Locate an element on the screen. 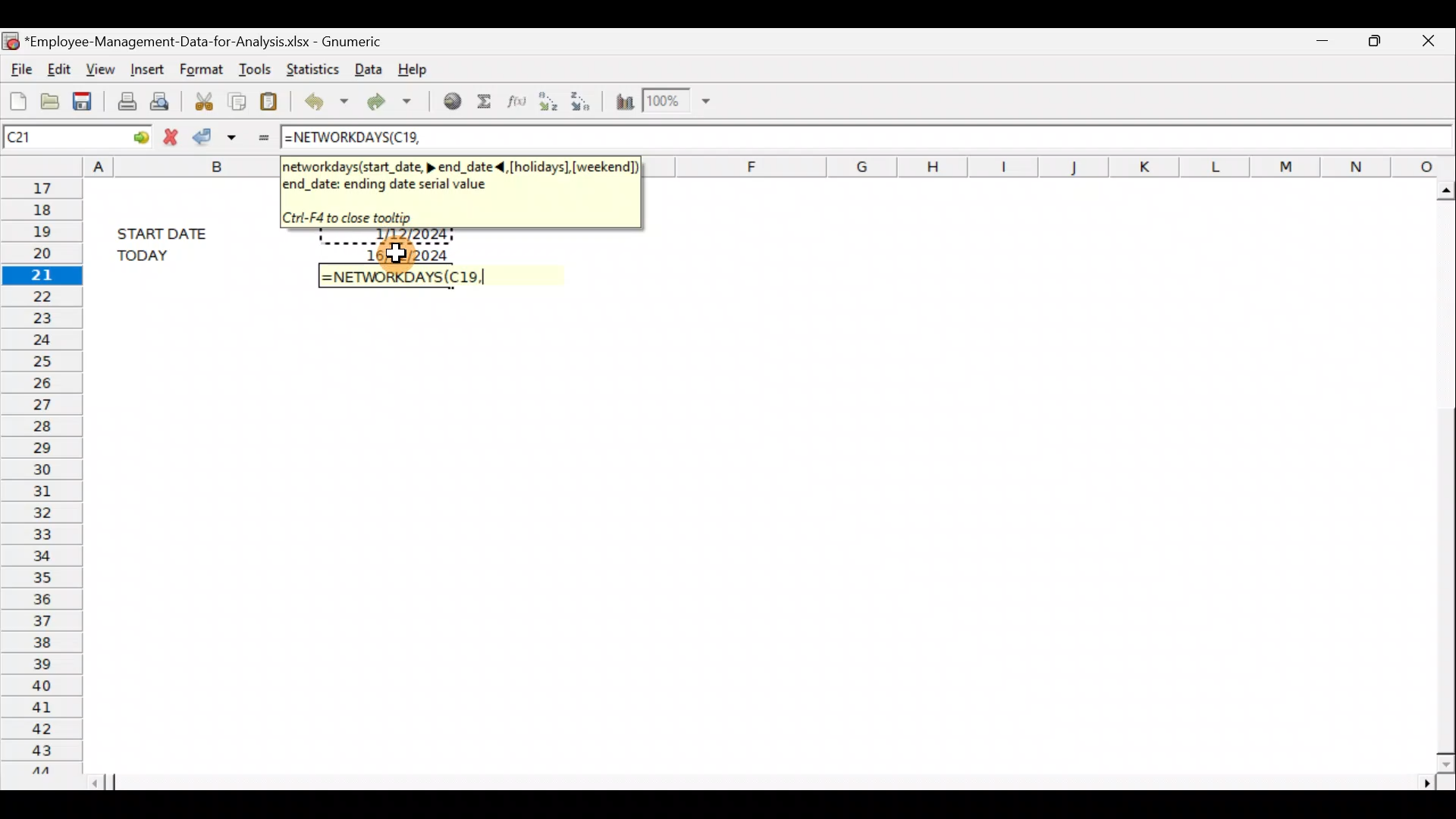  Help is located at coordinates (423, 68).